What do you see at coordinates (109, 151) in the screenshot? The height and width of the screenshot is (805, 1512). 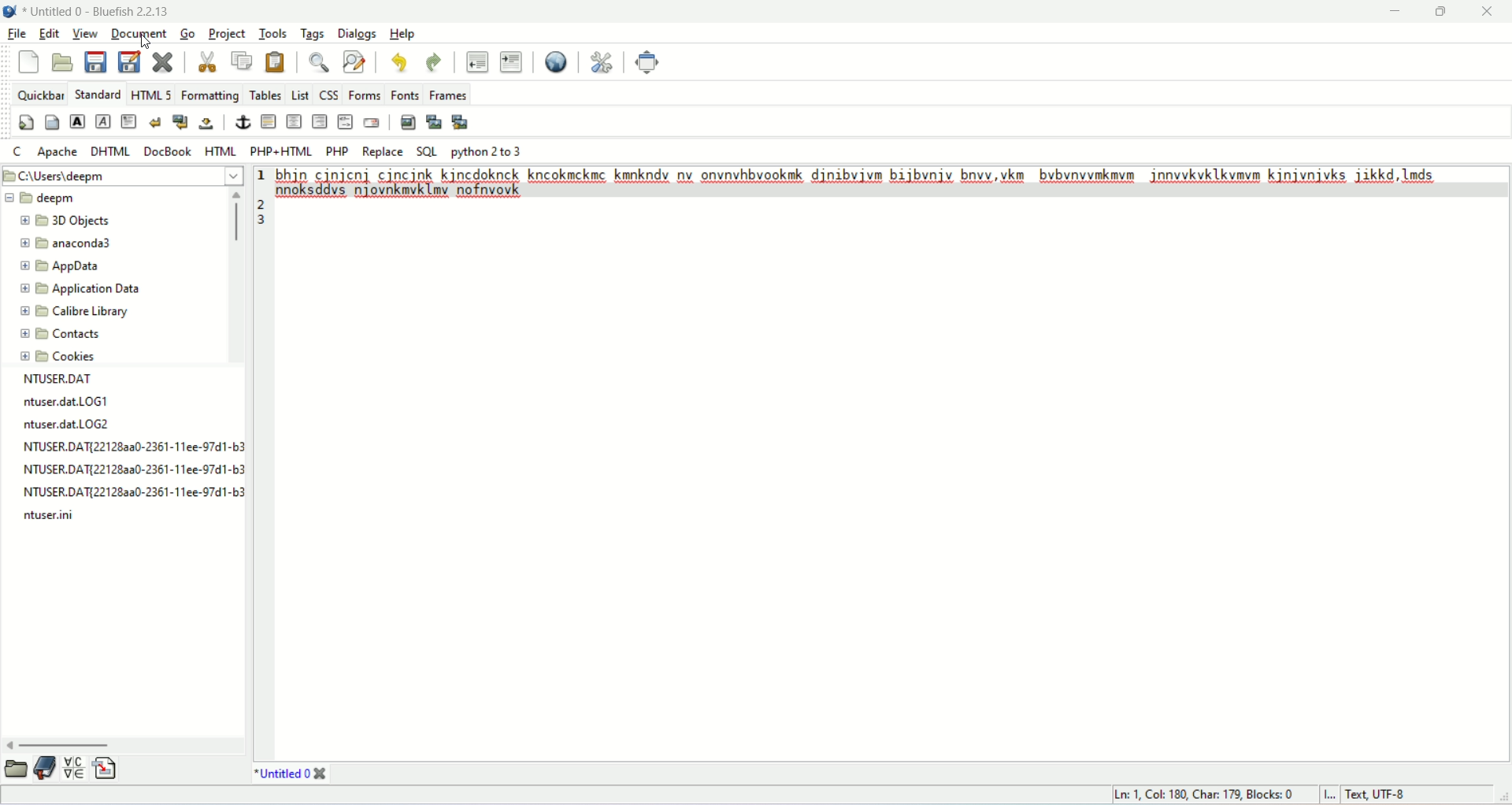 I see `DHTML` at bounding box center [109, 151].